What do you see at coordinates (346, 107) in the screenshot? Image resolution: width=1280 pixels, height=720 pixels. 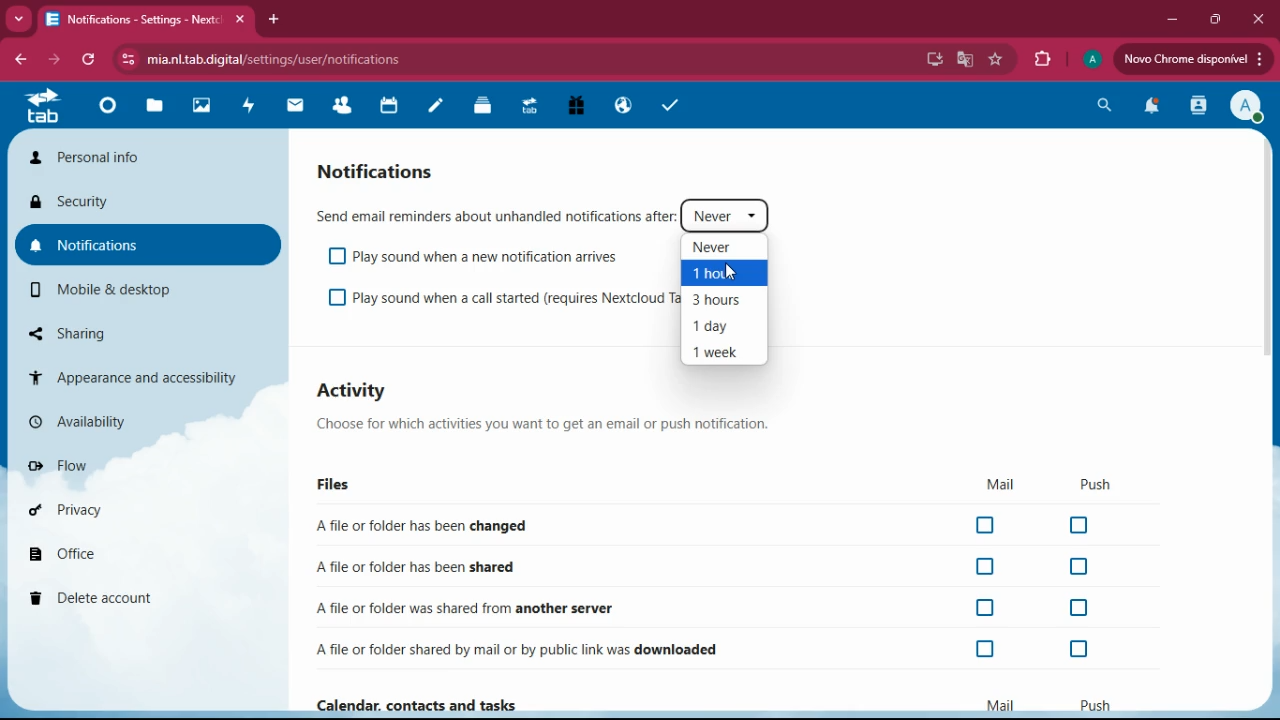 I see `friends` at bounding box center [346, 107].